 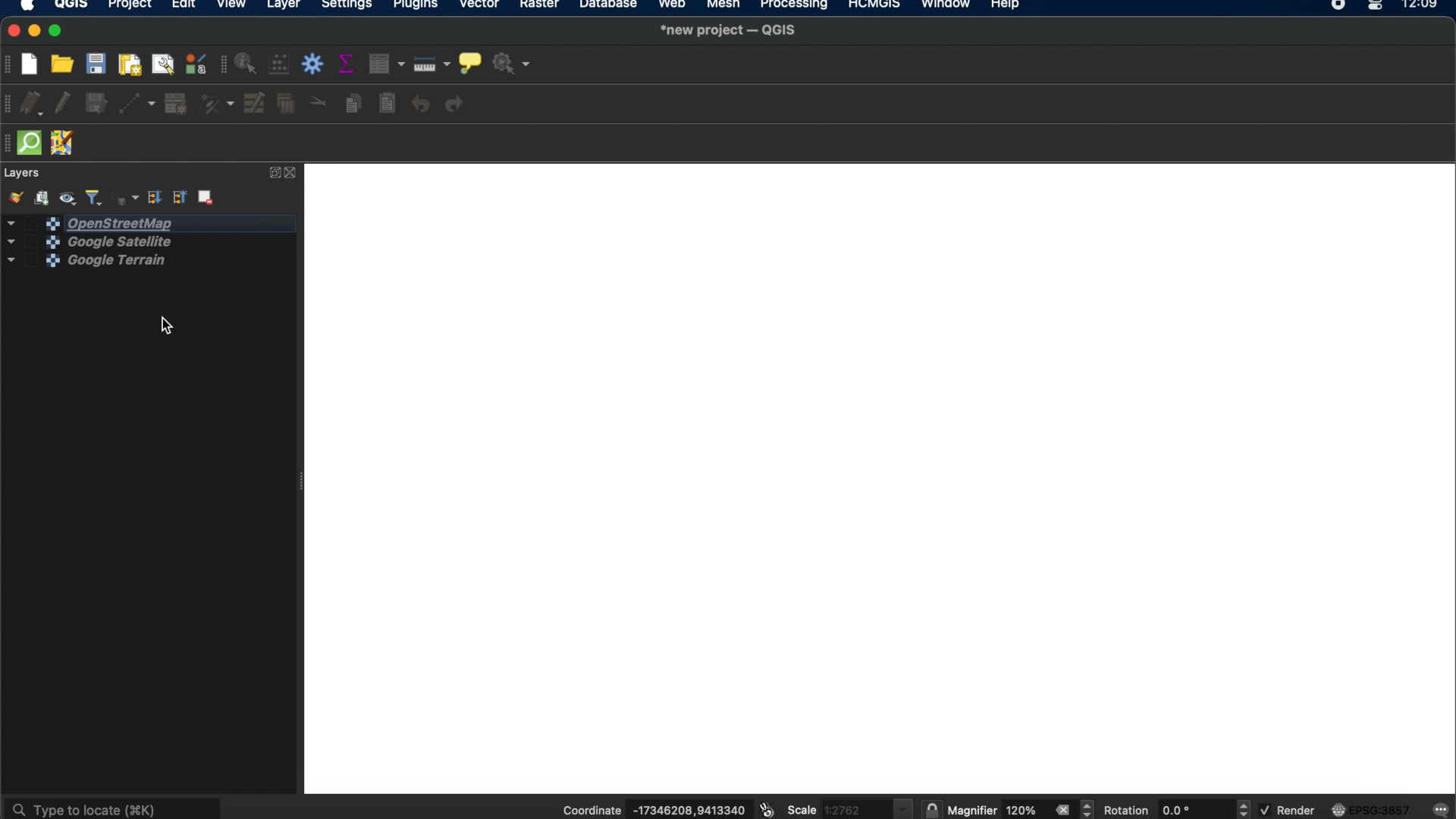 I want to click on settings, so click(x=347, y=6).